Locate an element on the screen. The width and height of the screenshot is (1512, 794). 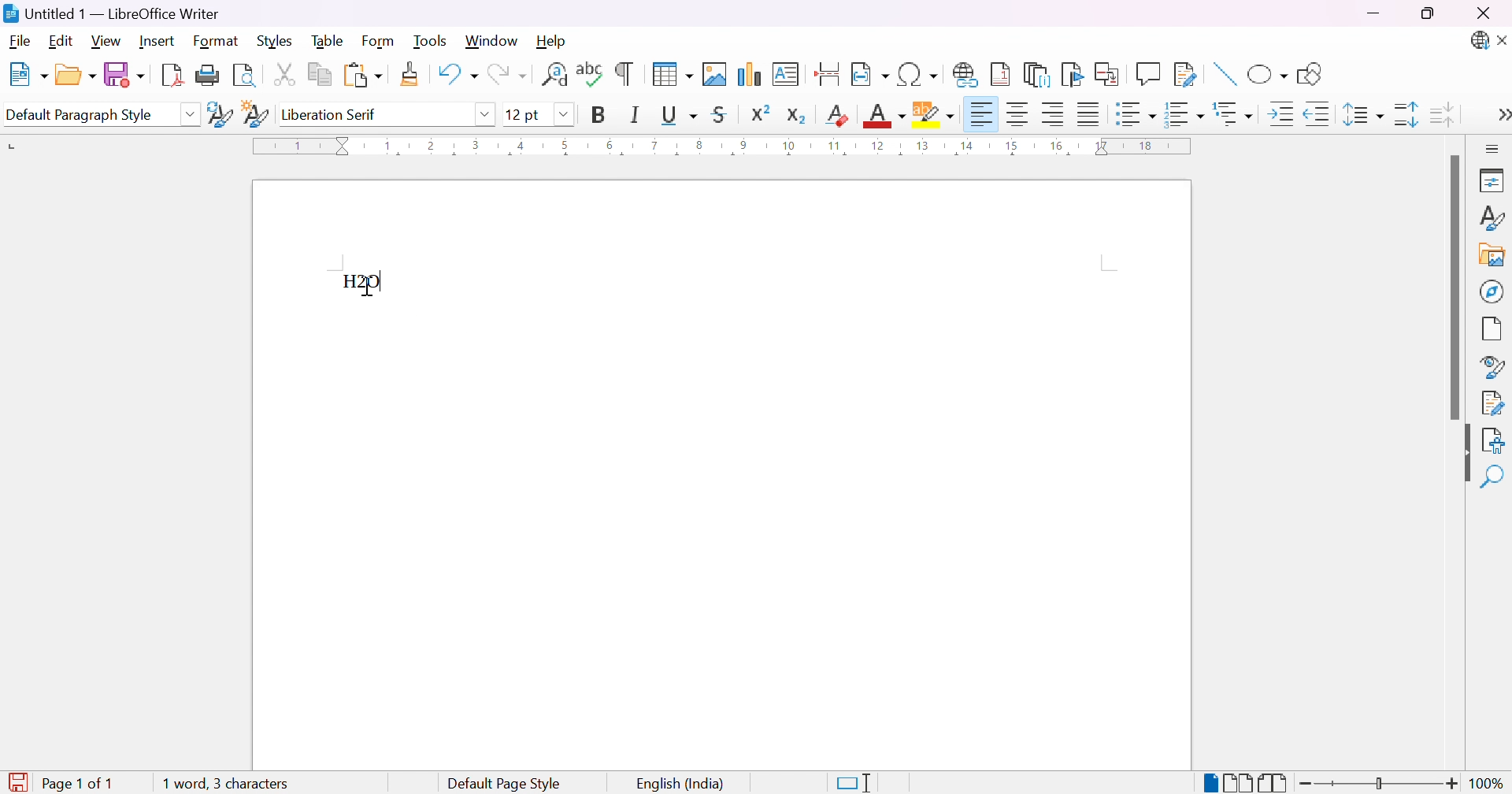
Show draw functions is located at coordinates (1307, 74).